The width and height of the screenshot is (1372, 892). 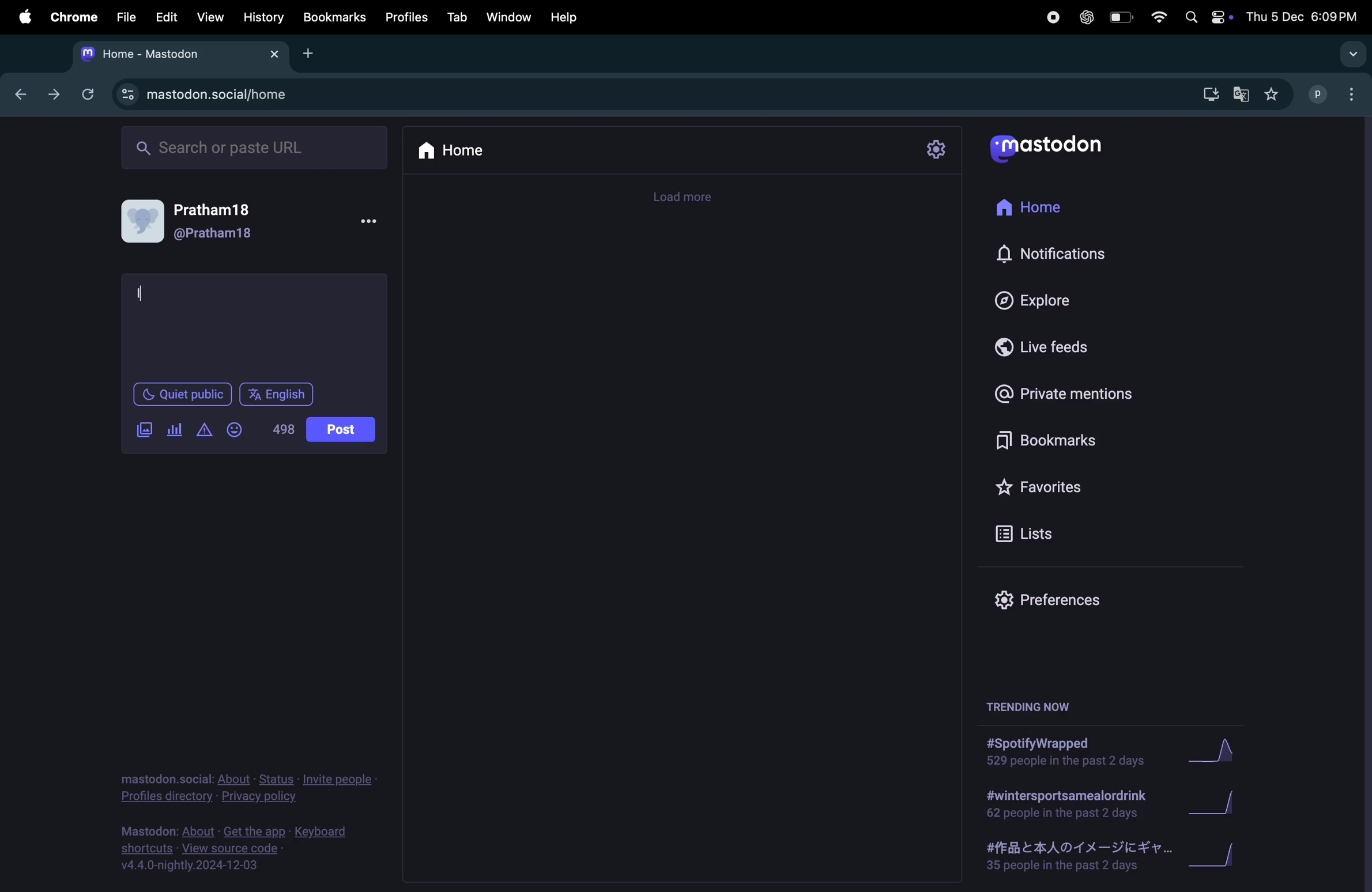 I want to click on emoji, so click(x=236, y=429).